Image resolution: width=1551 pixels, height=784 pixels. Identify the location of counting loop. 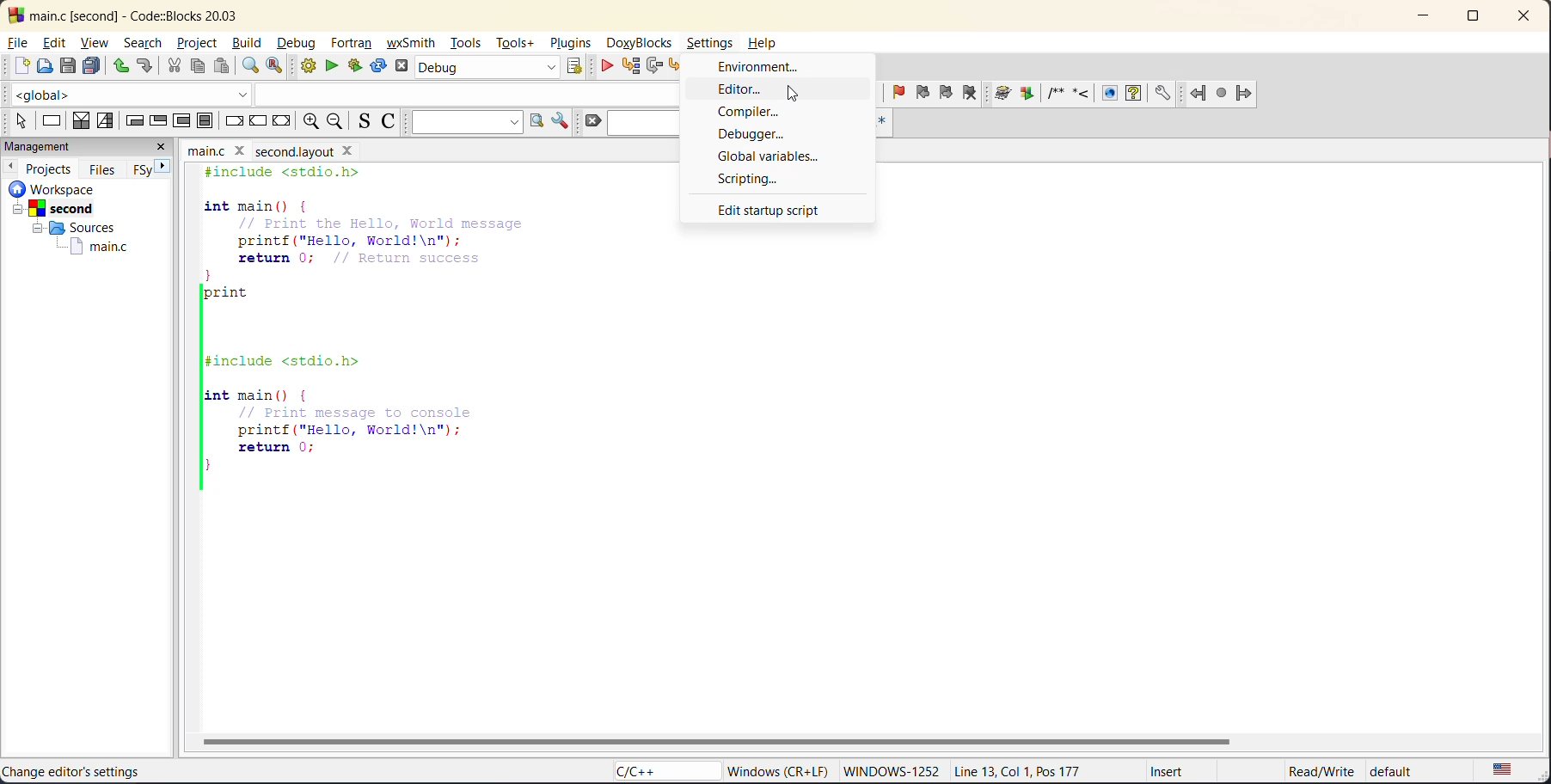
(184, 120).